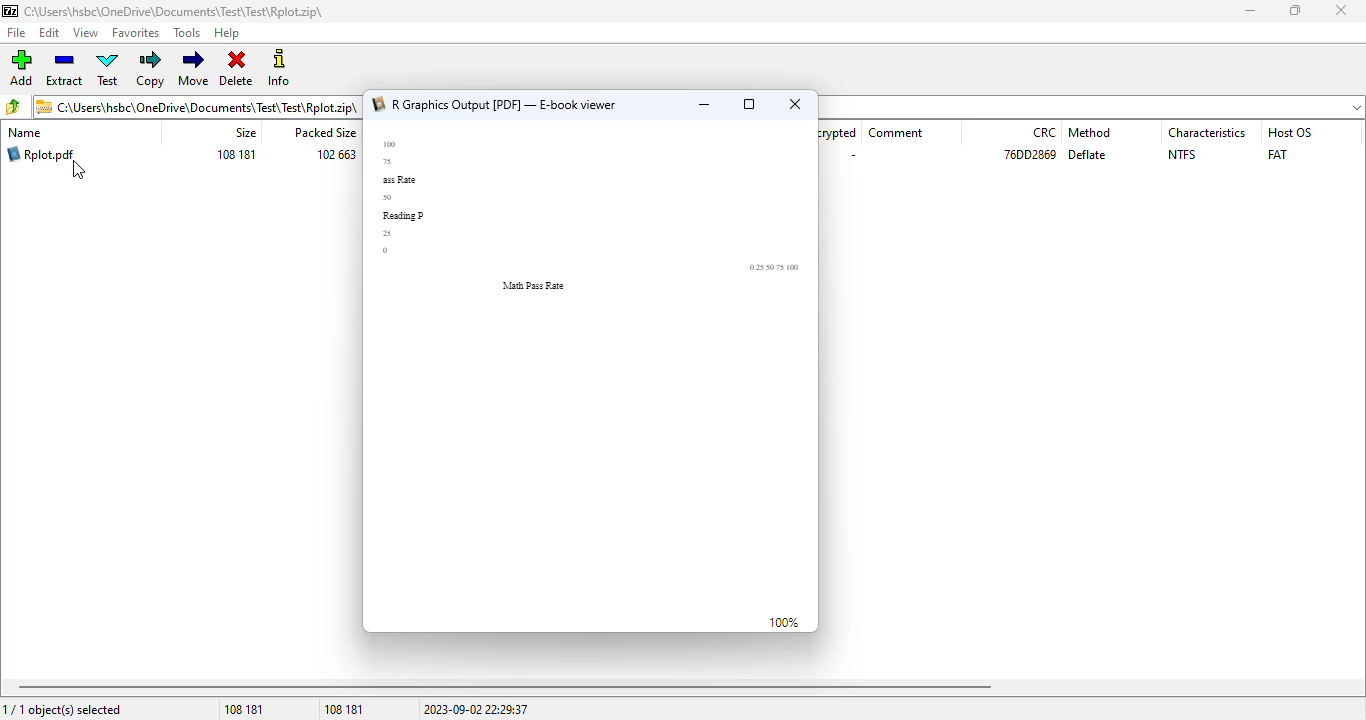 This screenshot has height=720, width=1366. I want to click on minimize, so click(703, 105).